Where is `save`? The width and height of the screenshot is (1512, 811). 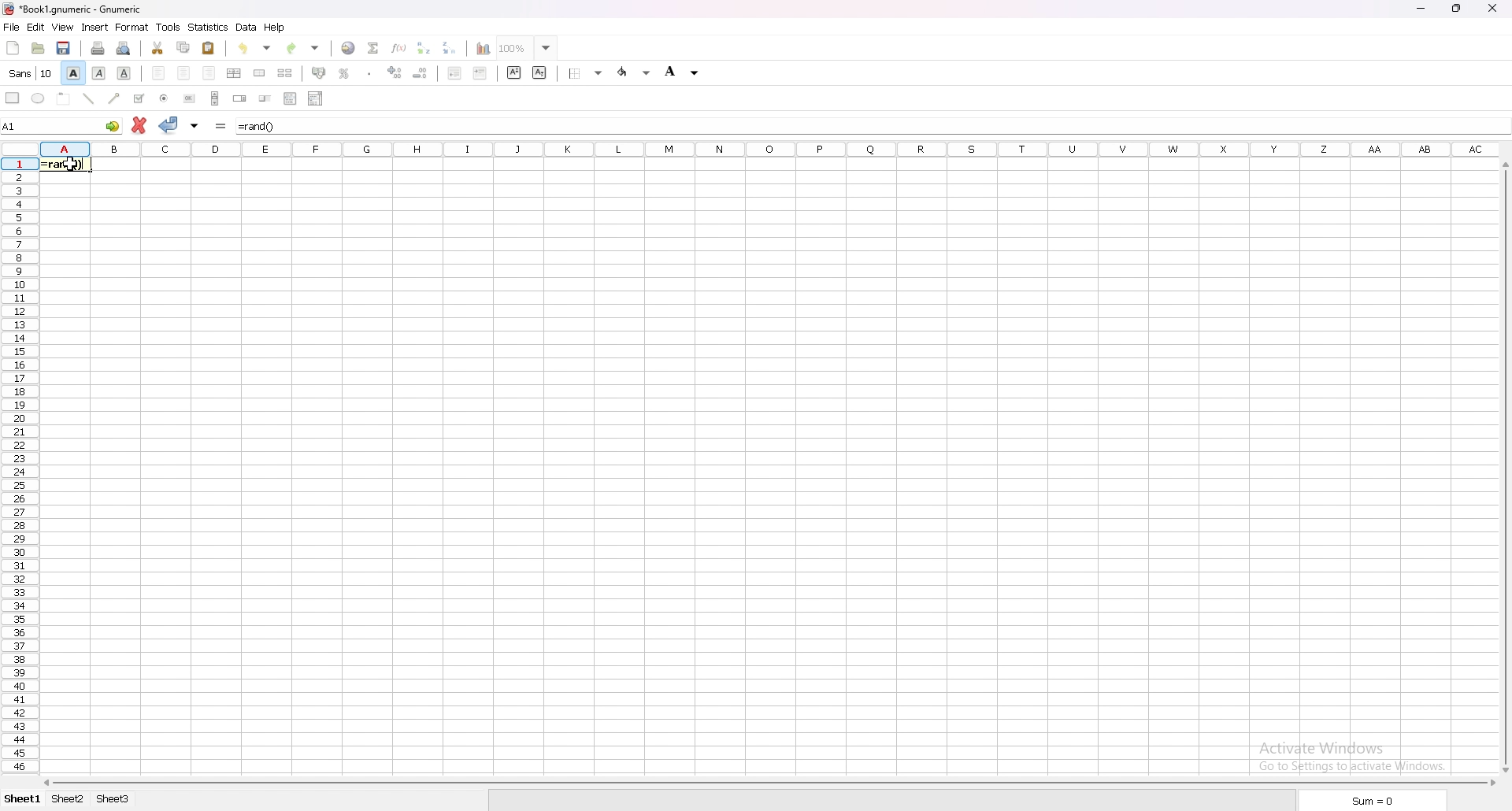 save is located at coordinates (64, 48).